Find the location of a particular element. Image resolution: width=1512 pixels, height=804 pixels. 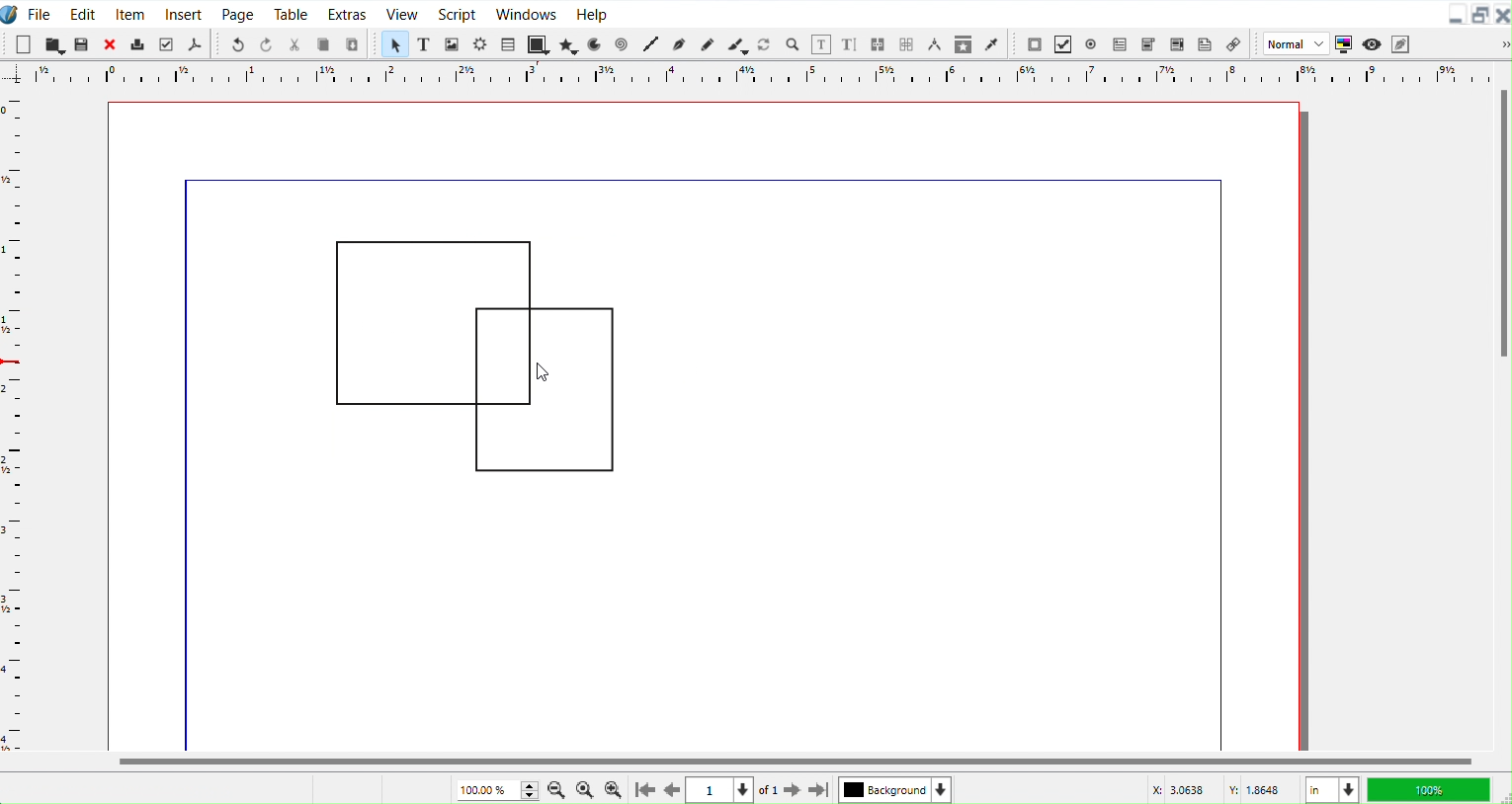

Preflight verifier is located at coordinates (167, 42).